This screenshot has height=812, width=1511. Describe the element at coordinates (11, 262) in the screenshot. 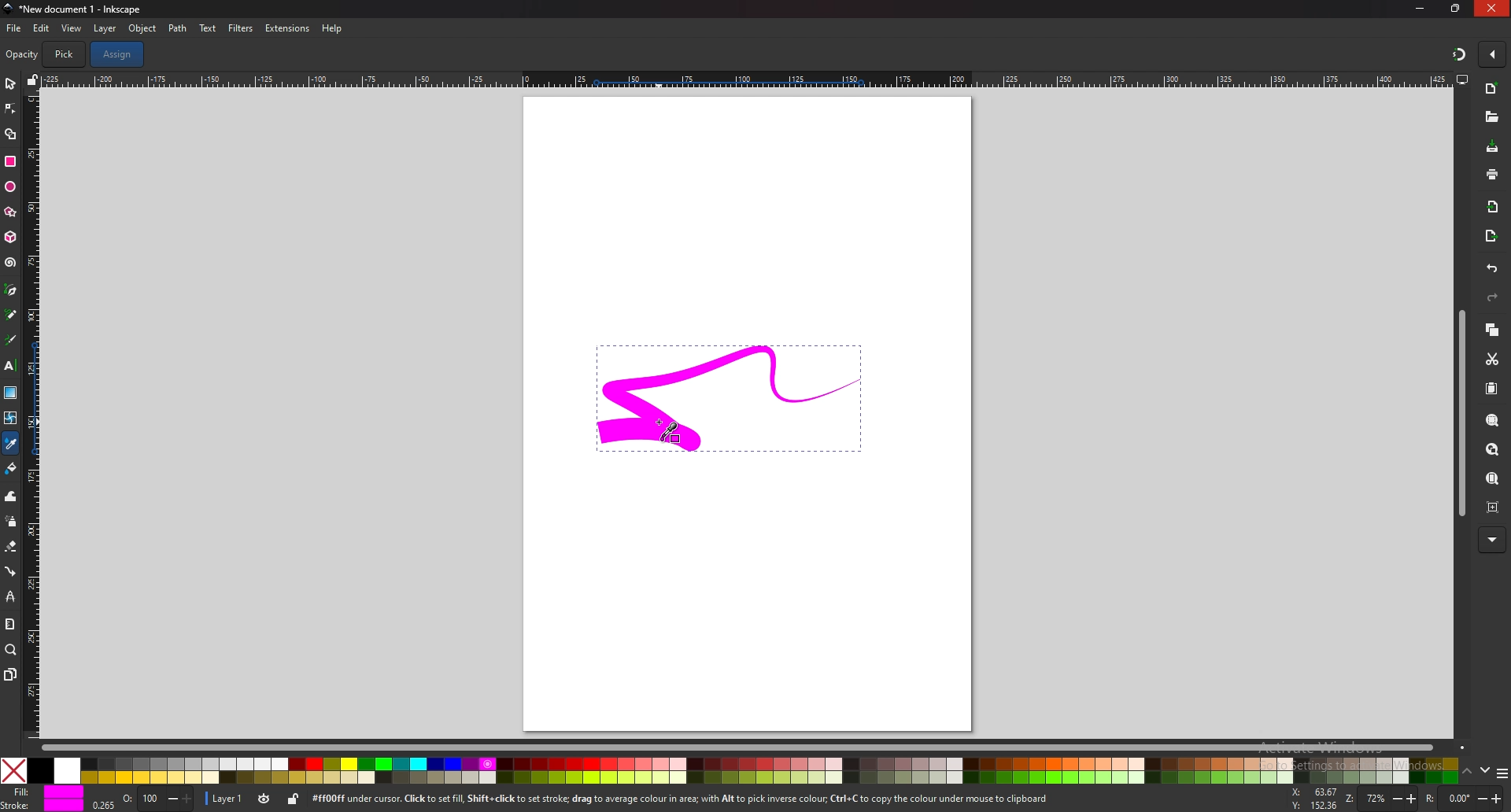

I see `spiral` at that location.